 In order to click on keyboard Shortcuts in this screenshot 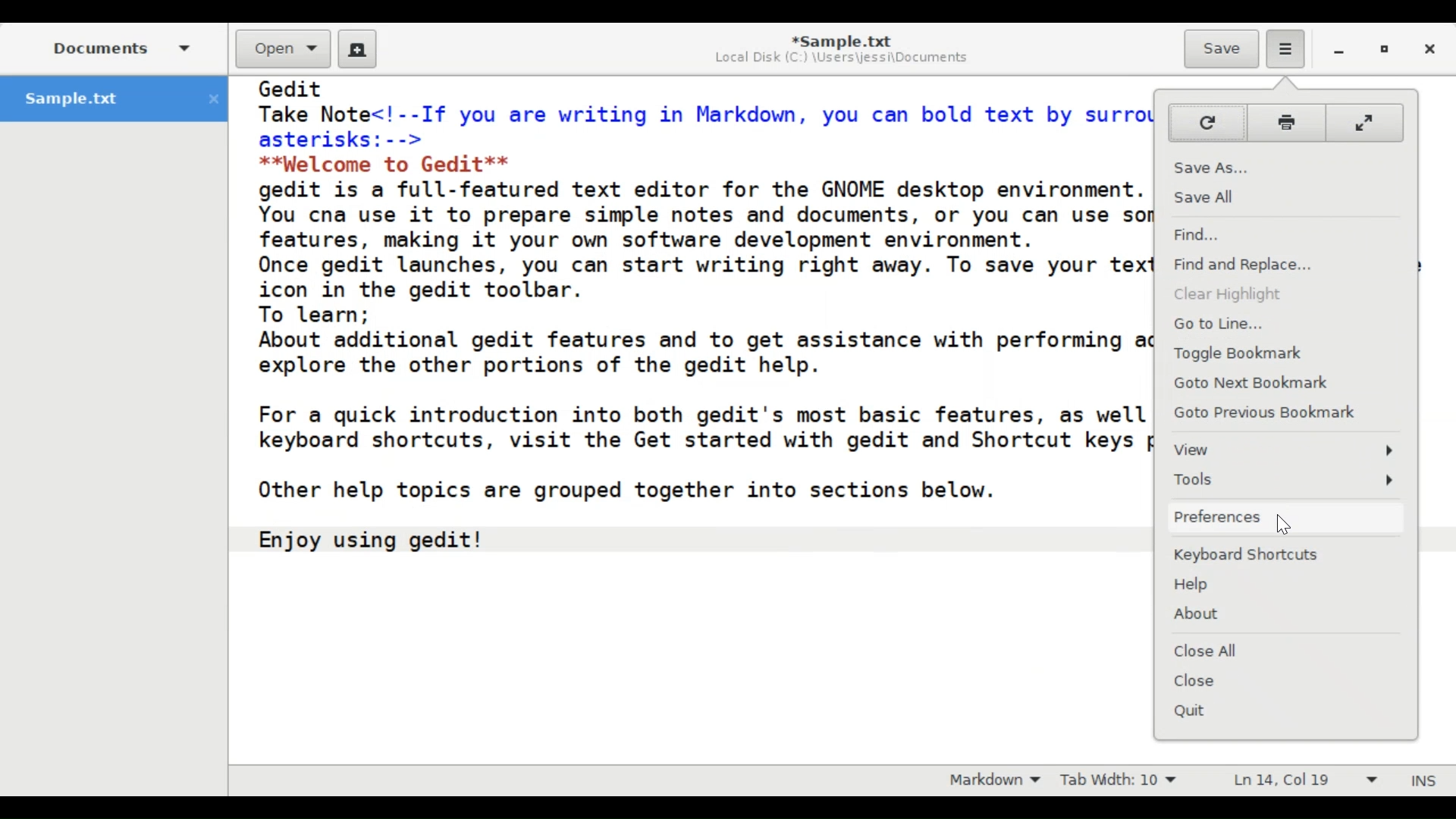, I will do `click(1288, 555)`.